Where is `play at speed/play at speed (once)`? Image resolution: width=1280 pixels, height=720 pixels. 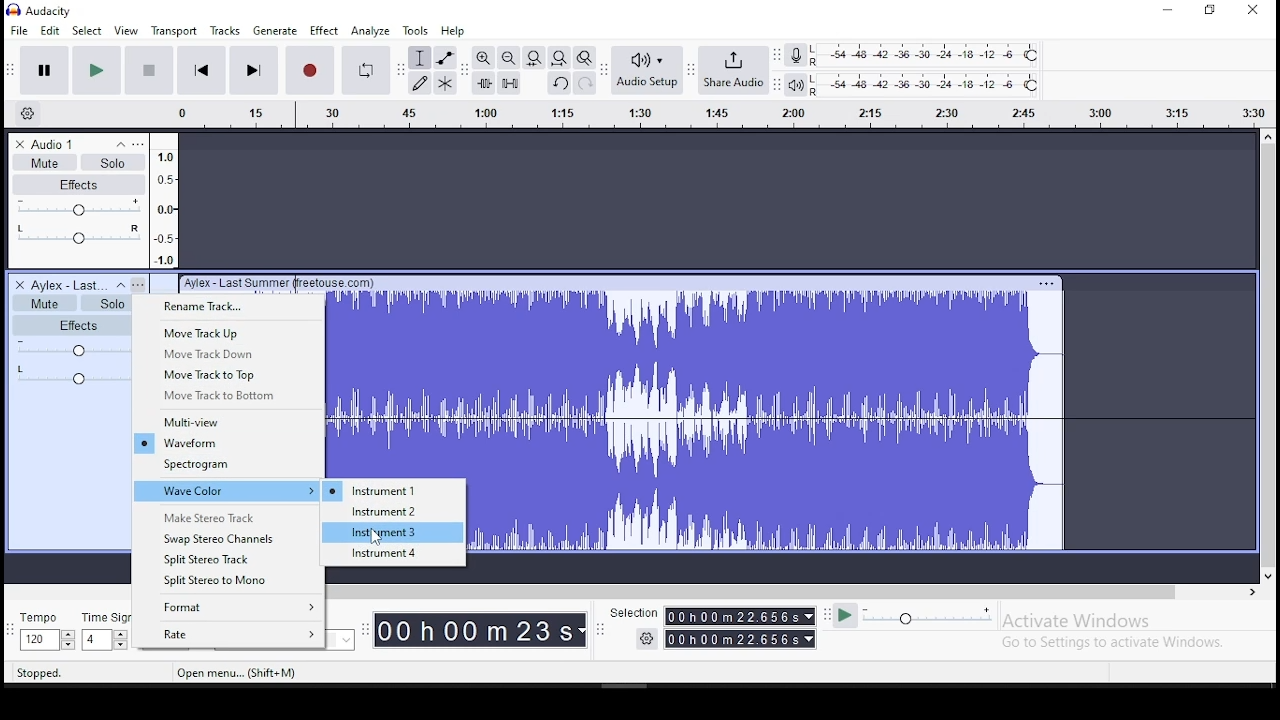 play at speed/play at speed (once) is located at coordinates (914, 619).